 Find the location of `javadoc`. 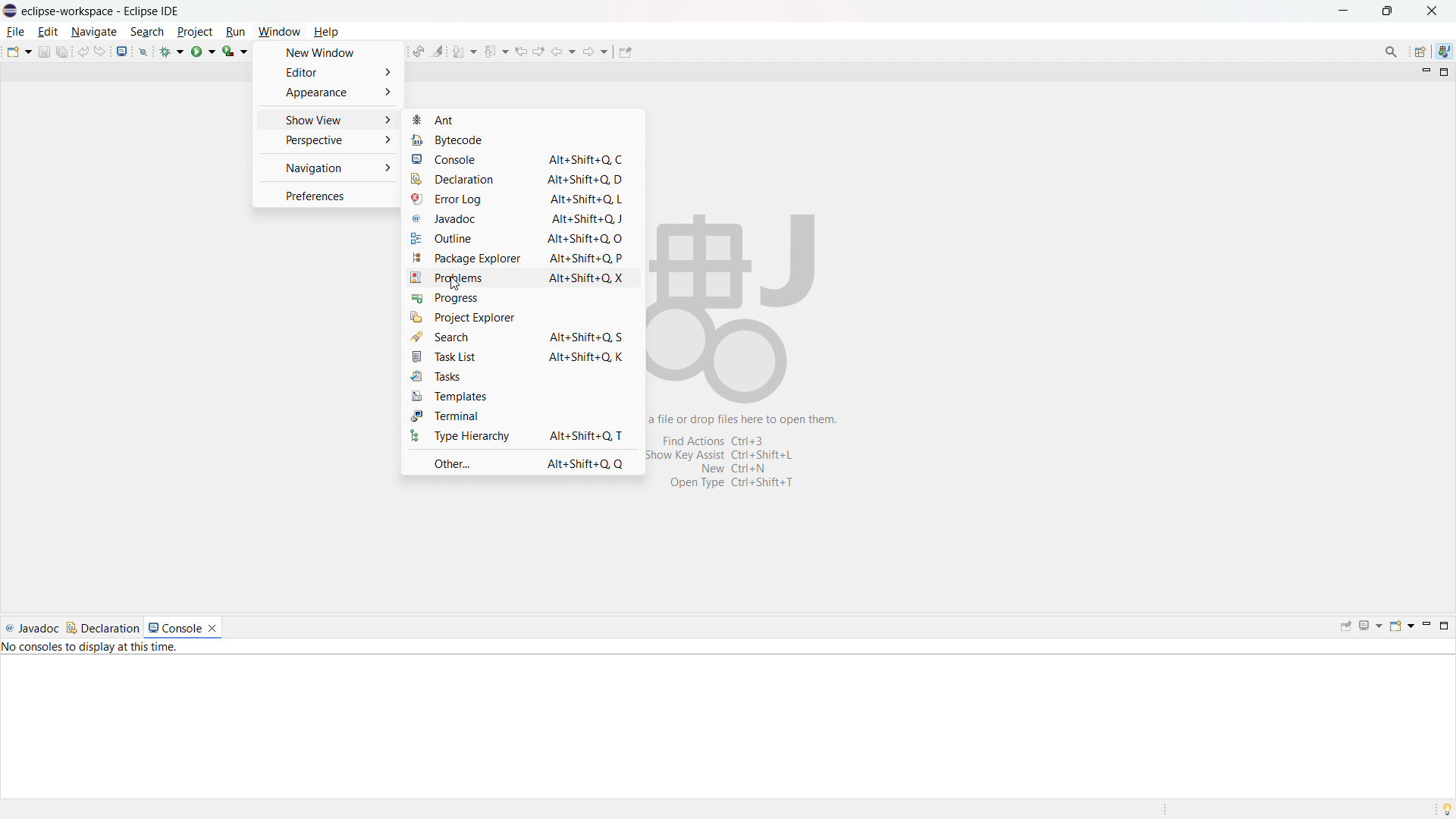

javadoc is located at coordinates (32, 629).